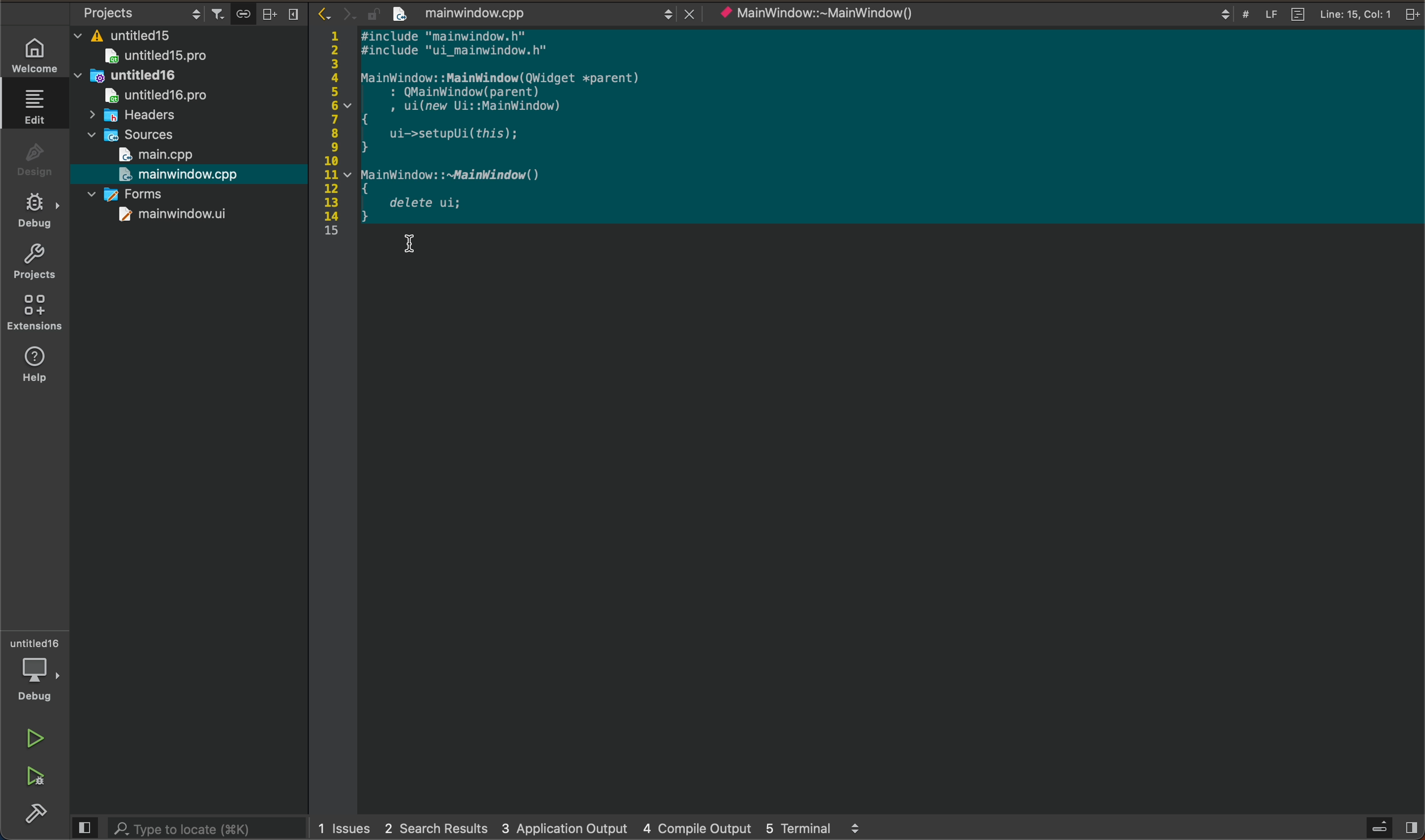 This screenshot has height=840, width=1425. What do you see at coordinates (172, 197) in the screenshot?
I see `forms` at bounding box center [172, 197].